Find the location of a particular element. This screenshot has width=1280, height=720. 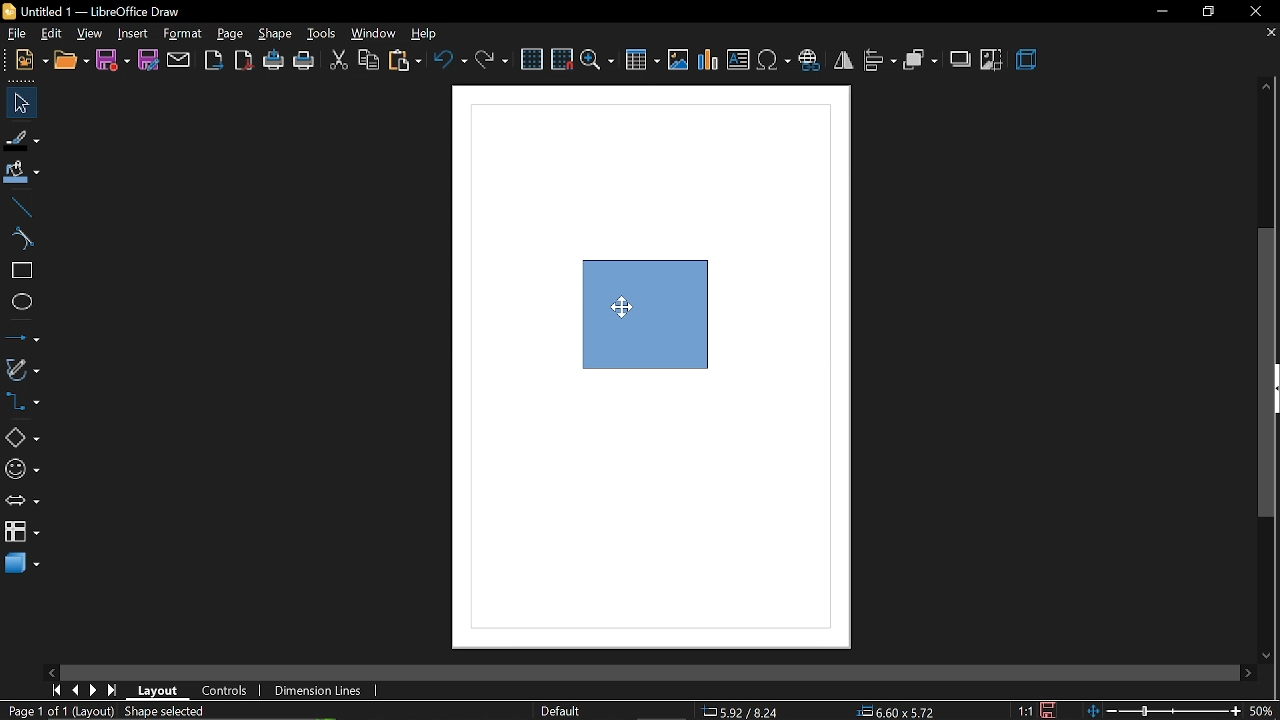

change zoom is located at coordinates (1182, 712).